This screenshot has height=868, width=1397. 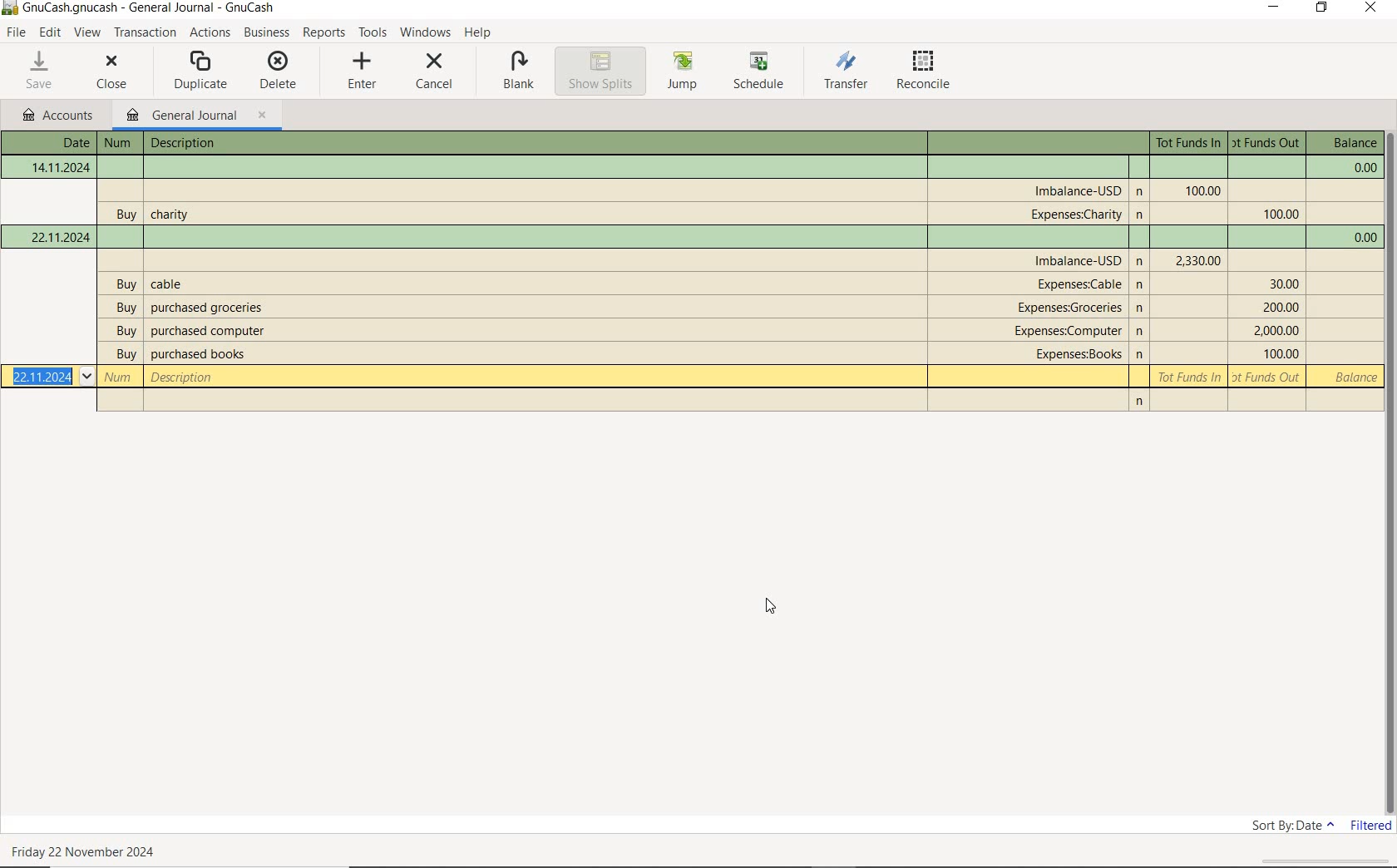 I want to click on BLANK, so click(x=519, y=72).